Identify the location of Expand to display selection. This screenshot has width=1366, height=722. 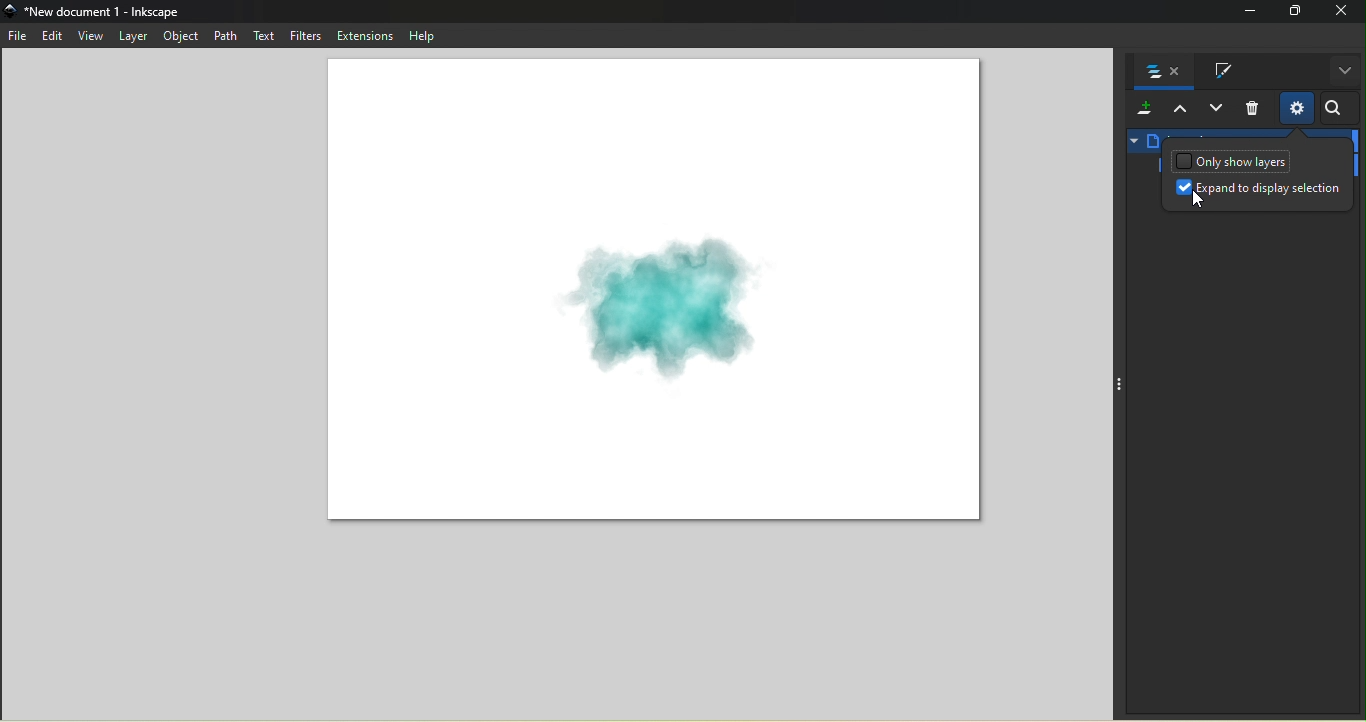
(1259, 194).